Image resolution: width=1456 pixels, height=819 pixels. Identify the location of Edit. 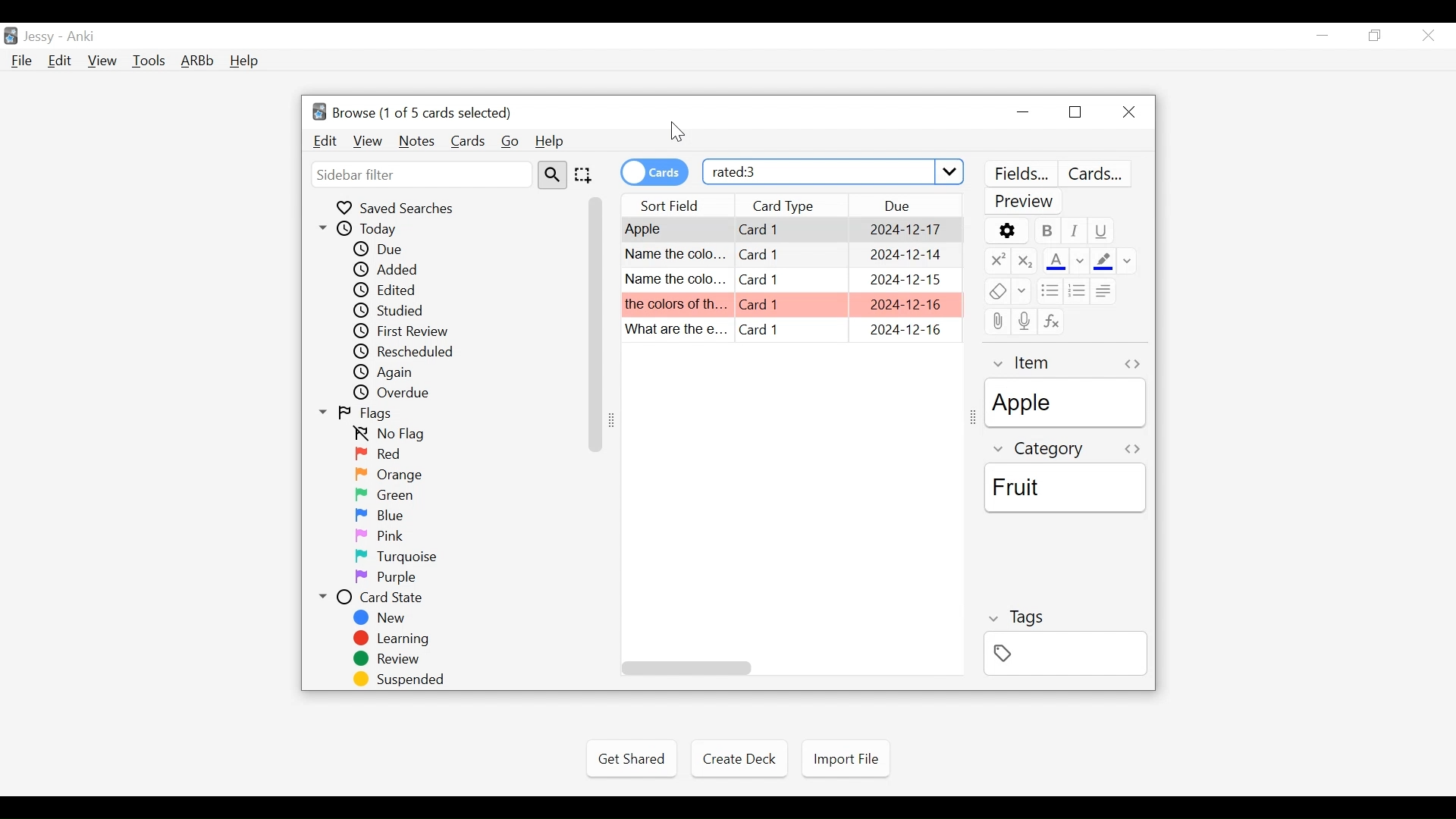
(327, 142).